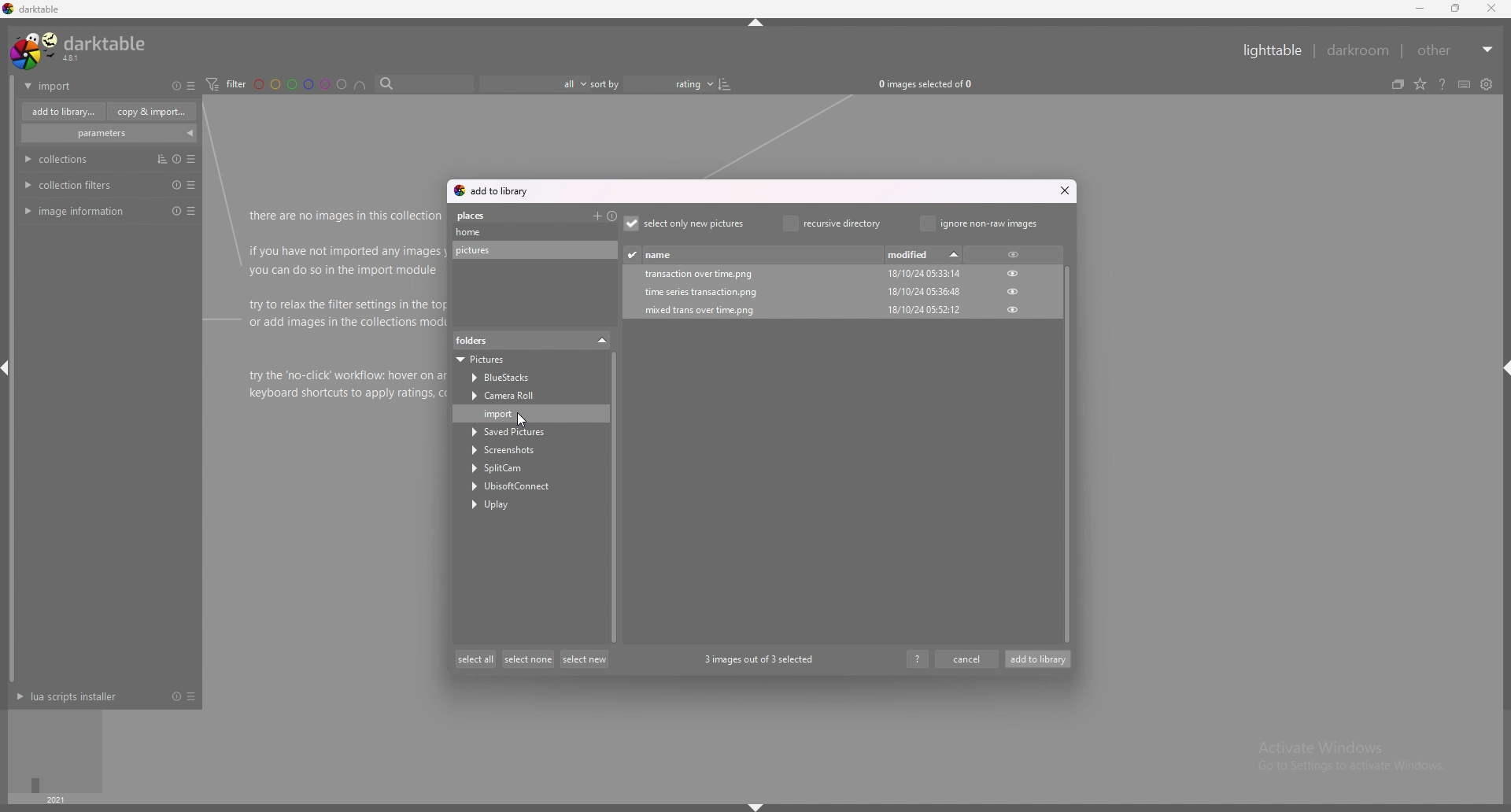 The width and height of the screenshot is (1511, 812). Describe the element at coordinates (685, 223) in the screenshot. I see `select only new pictures` at that location.